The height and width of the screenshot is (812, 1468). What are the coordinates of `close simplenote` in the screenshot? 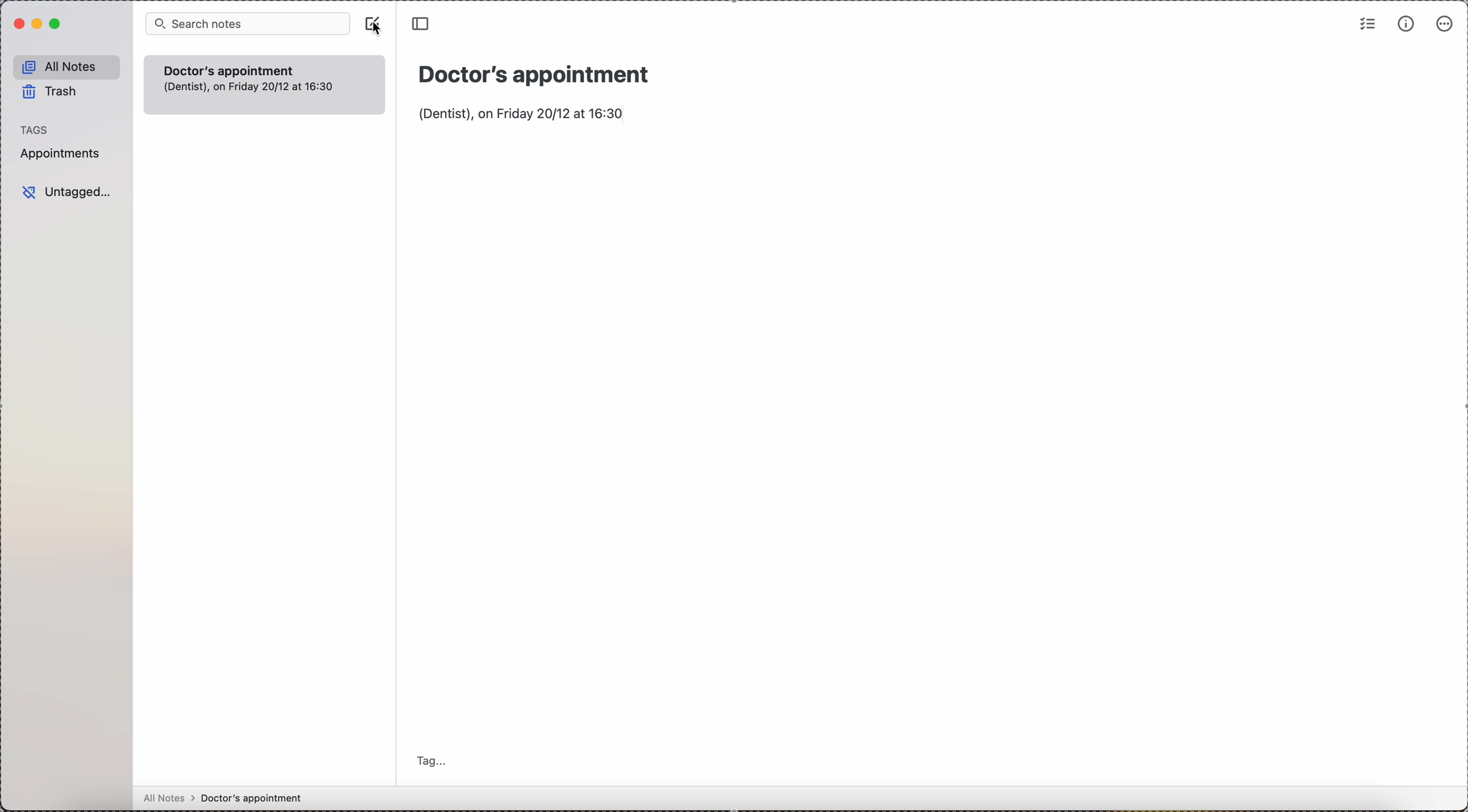 It's located at (17, 25).